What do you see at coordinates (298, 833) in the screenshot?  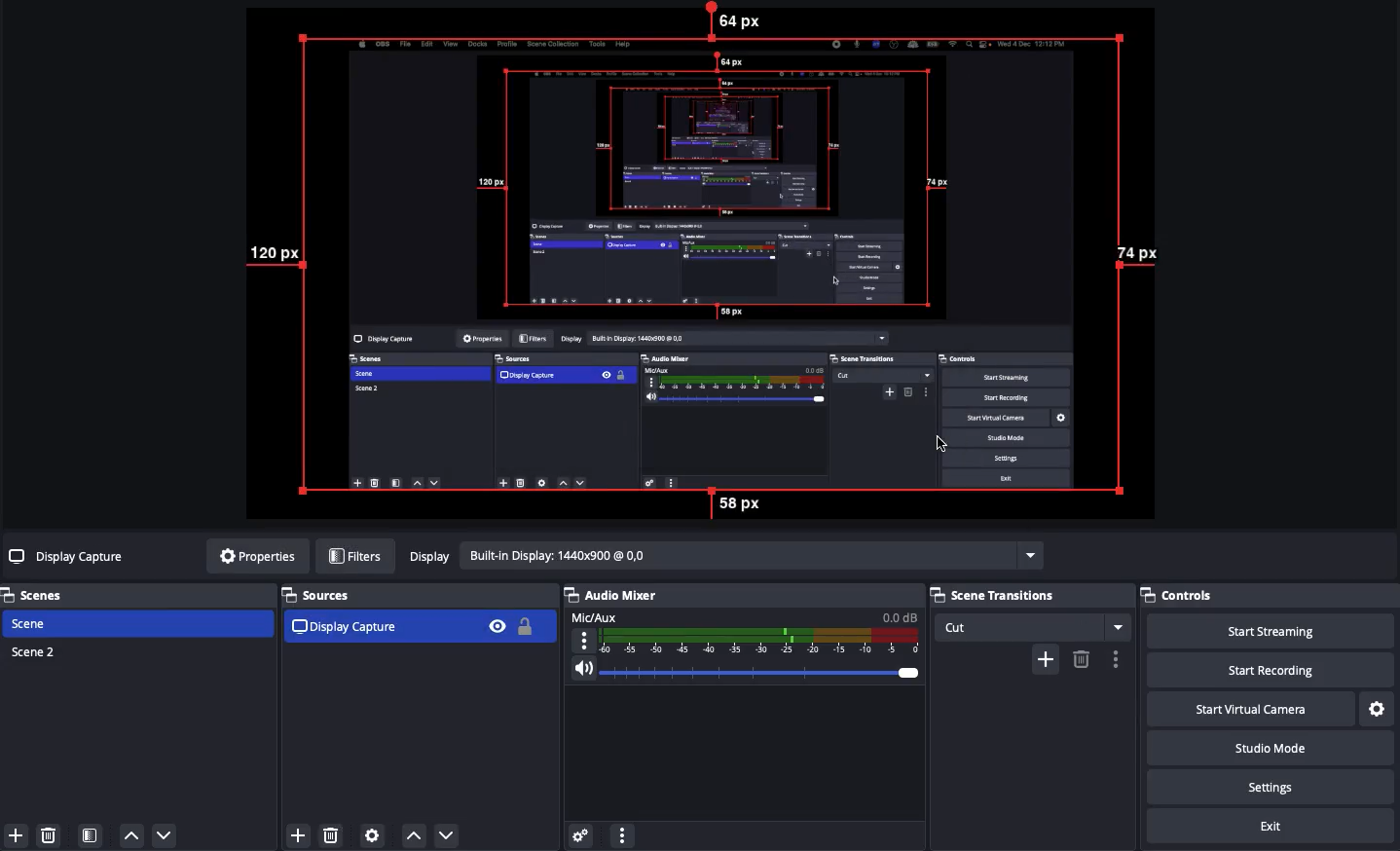 I see `Add` at bounding box center [298, 833].